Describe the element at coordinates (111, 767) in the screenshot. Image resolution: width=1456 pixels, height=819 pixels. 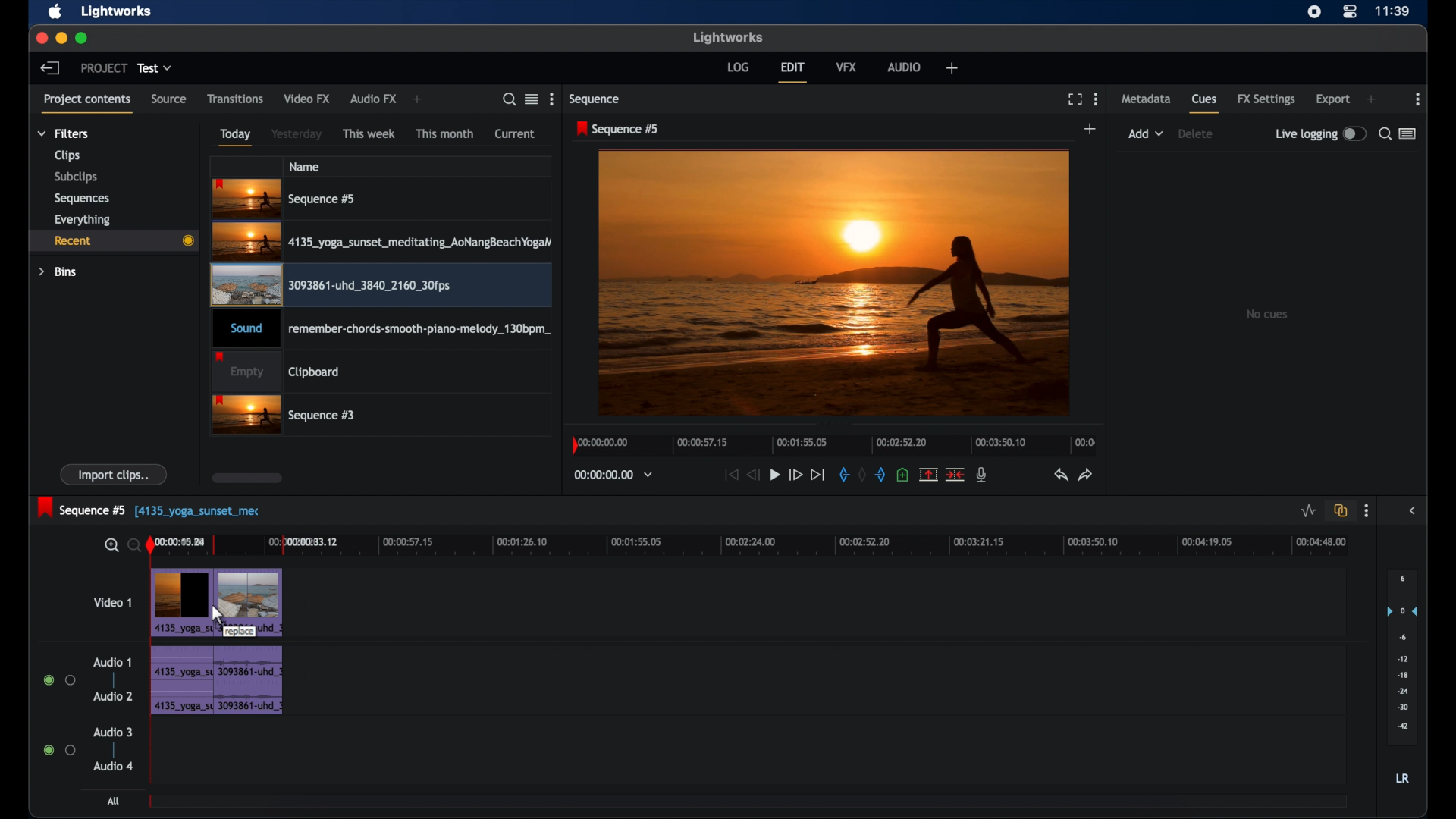
I see `audio 4` at that location.